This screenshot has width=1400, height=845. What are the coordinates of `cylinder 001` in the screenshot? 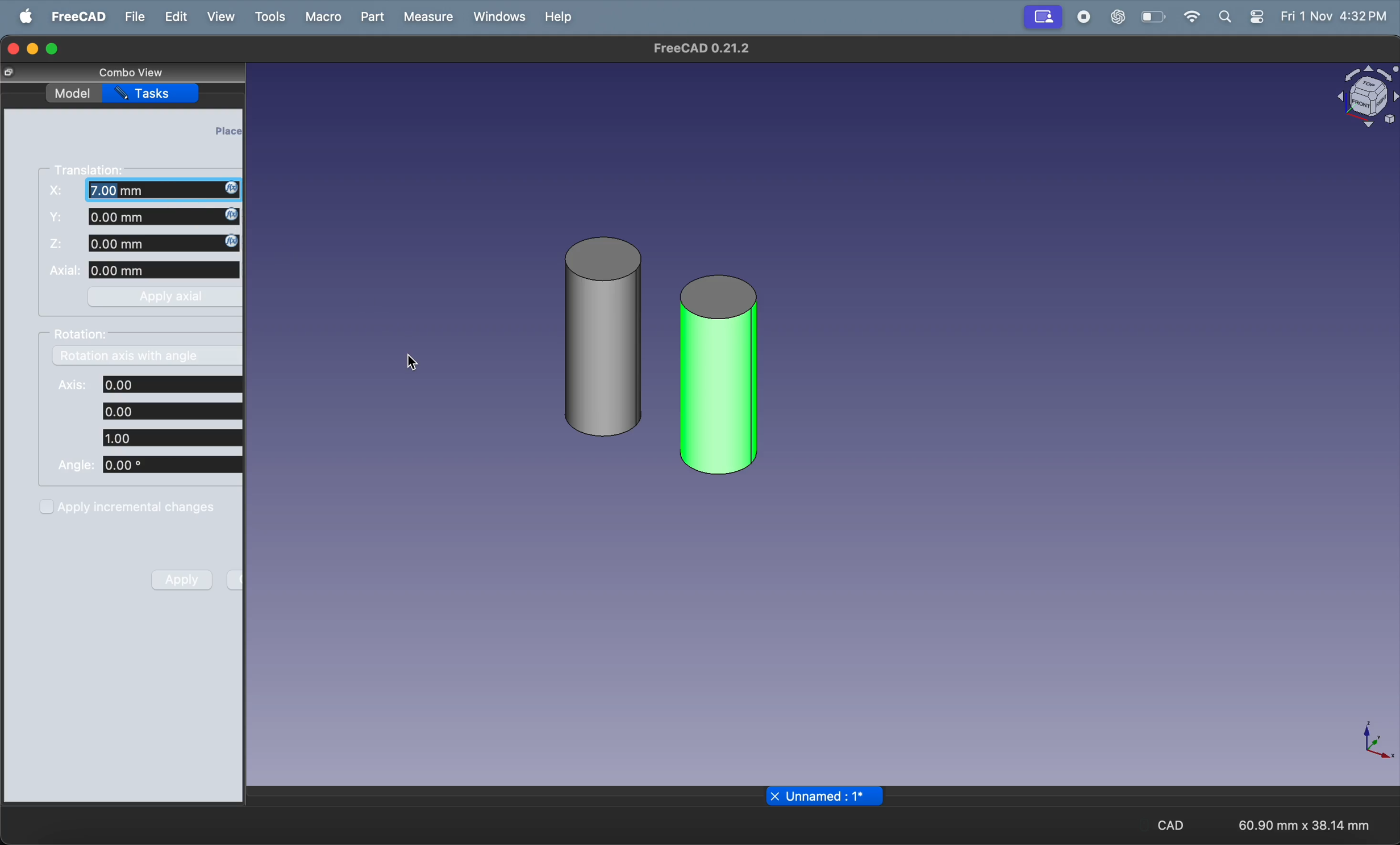 It's located at (726, 384).